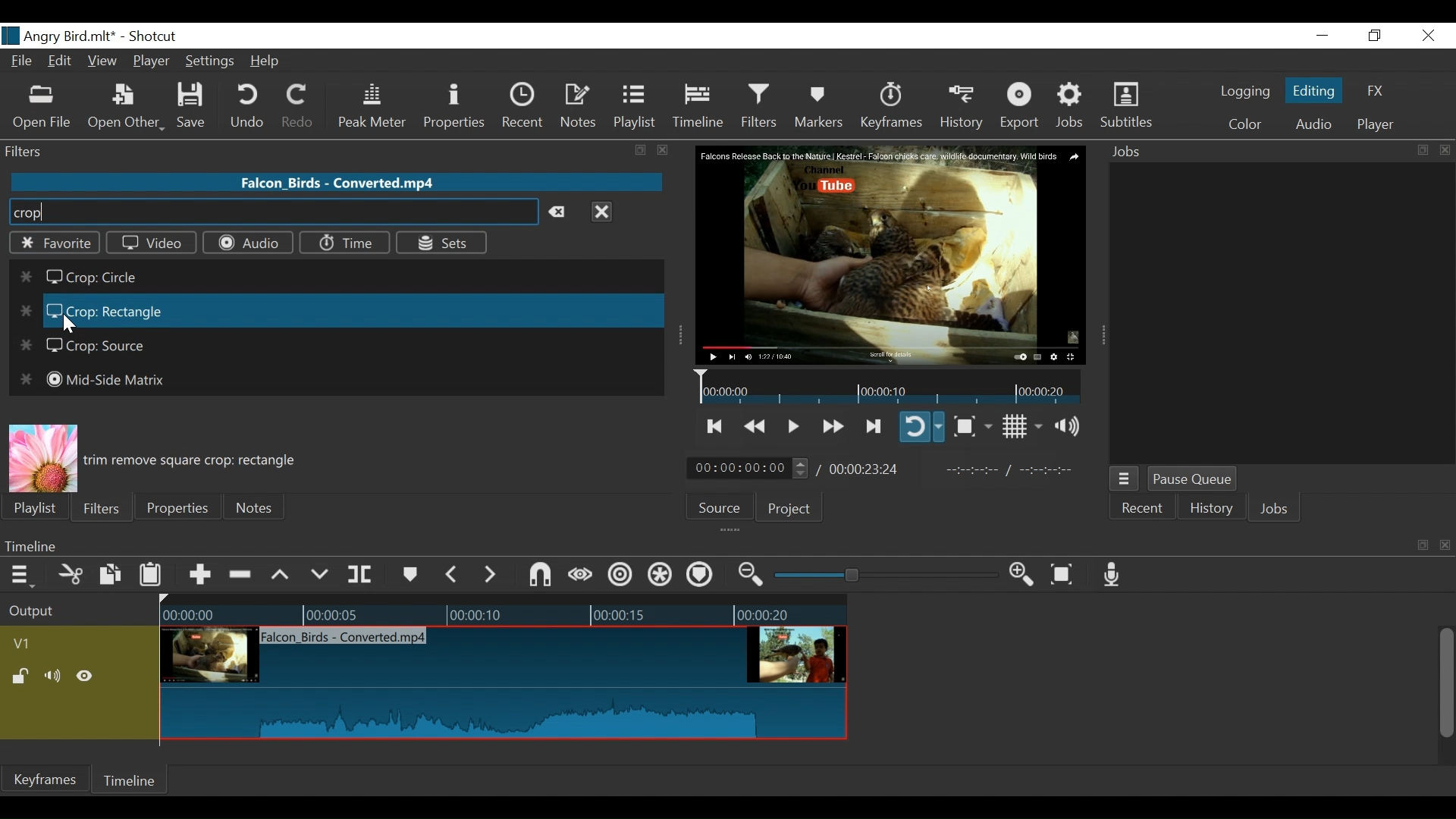 This screenshot has height=819, width=1456. I want to click on Sets, so click(441, 242).